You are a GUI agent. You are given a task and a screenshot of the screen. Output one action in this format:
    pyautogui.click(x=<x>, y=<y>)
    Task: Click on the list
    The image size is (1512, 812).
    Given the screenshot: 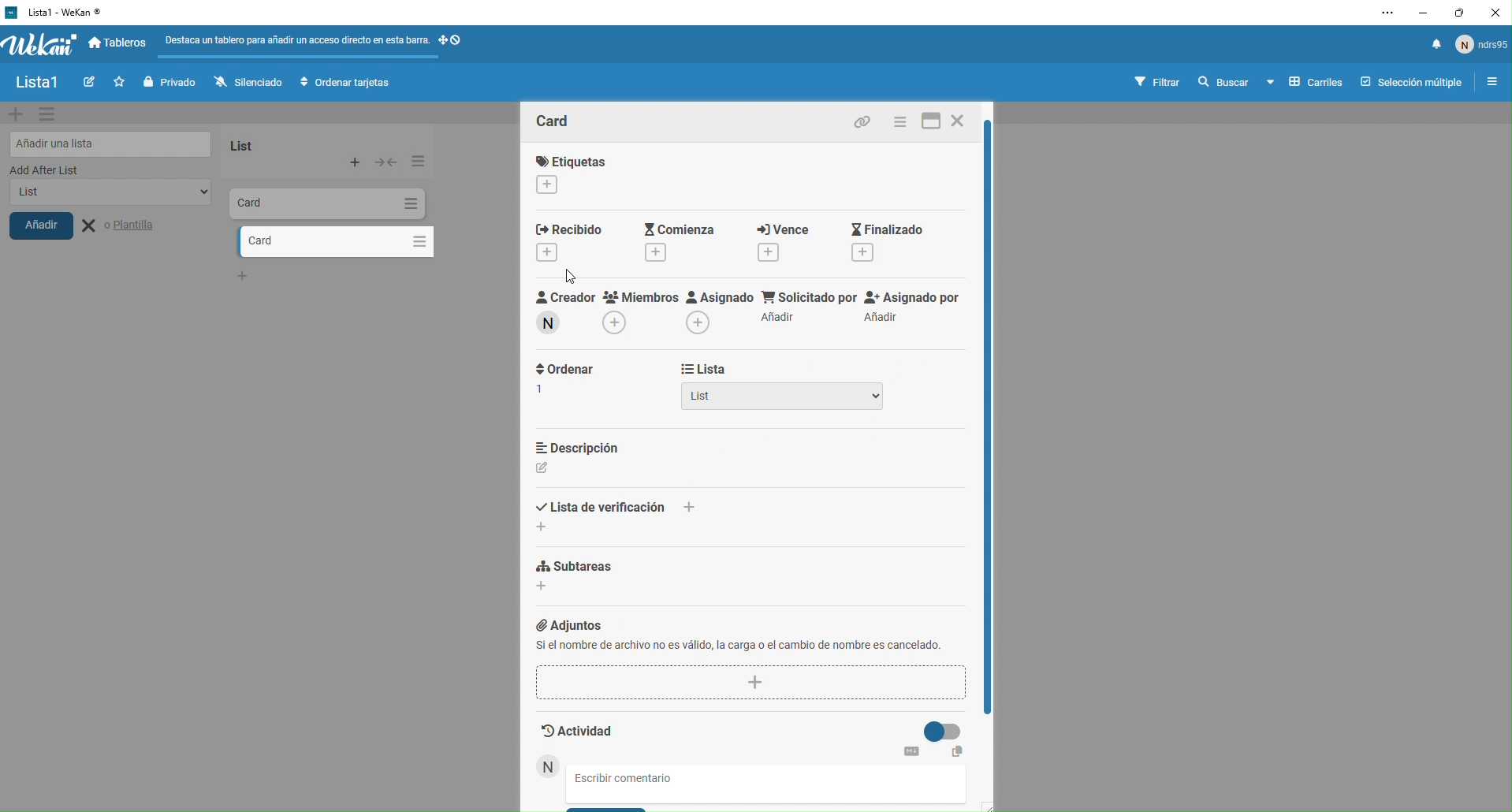 What is the action you would take?
    pyautogui.click(x=265, y=143)
    